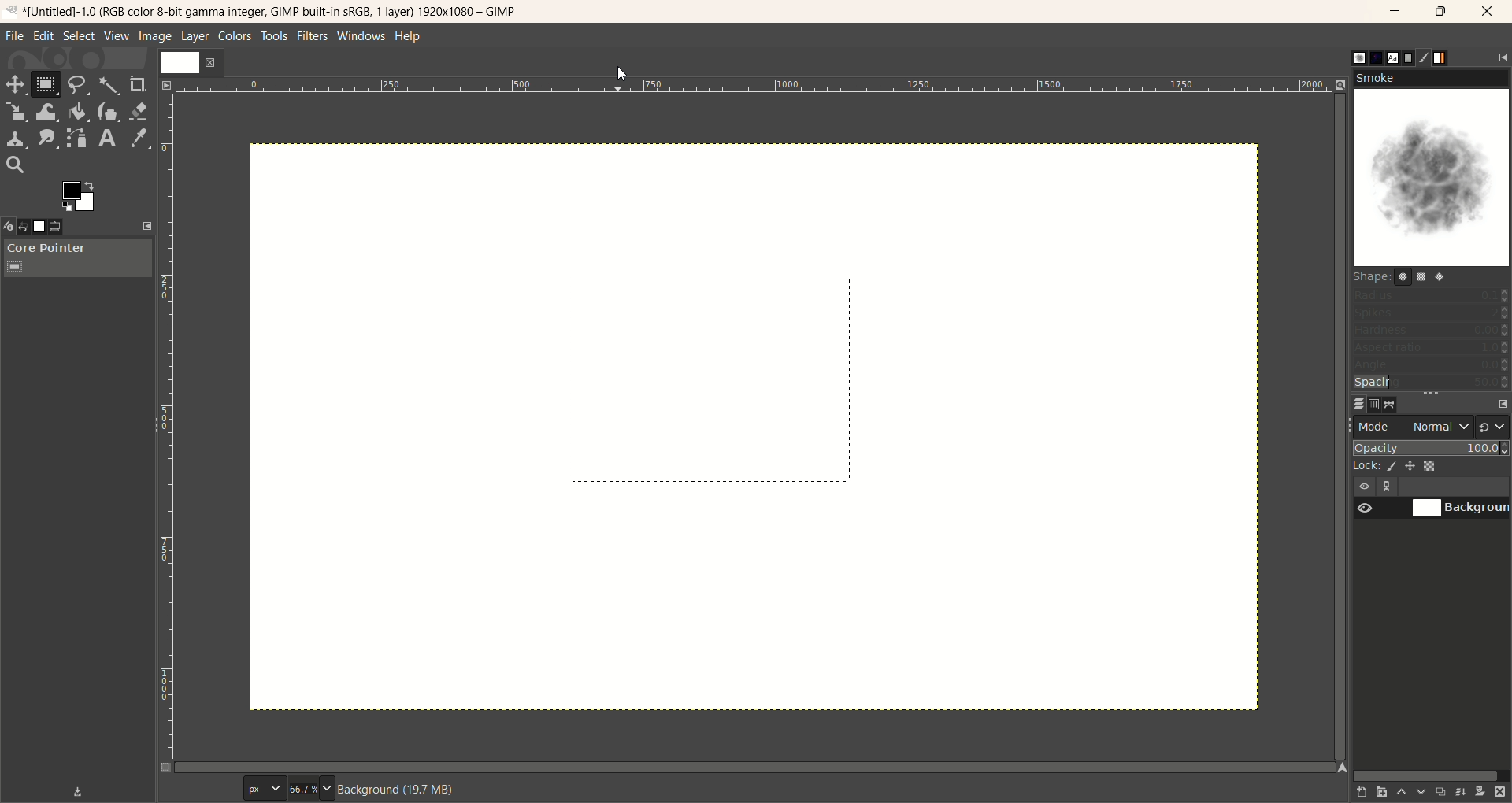 Image resolution: width=1512 pixels, height=803 pixels. What do you see at coordinates (1442, 10) in the screenshot?
I see `maximize` at bounding box center [1442, 10].